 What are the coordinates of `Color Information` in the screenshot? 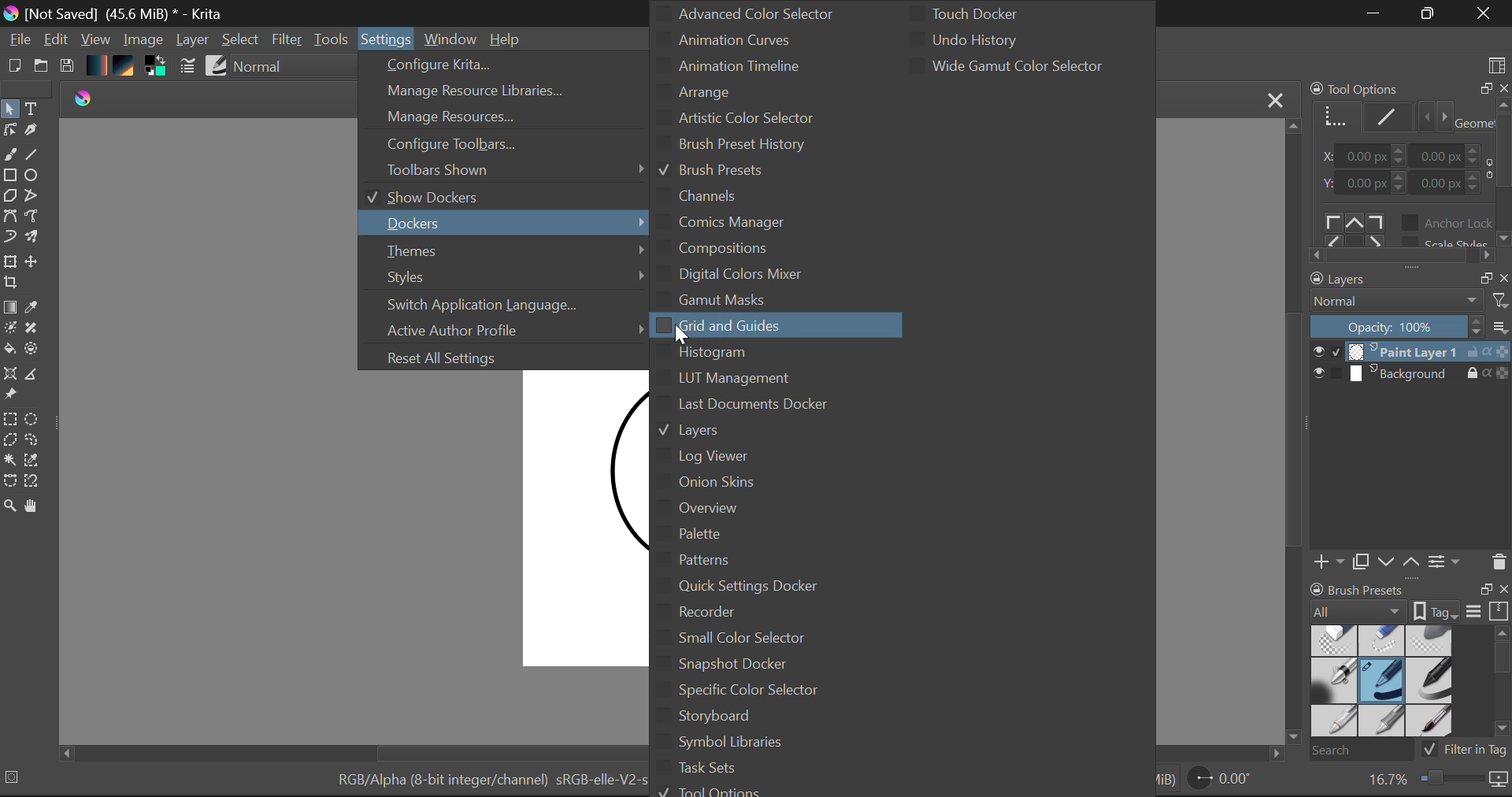 It's located at (487, 783).